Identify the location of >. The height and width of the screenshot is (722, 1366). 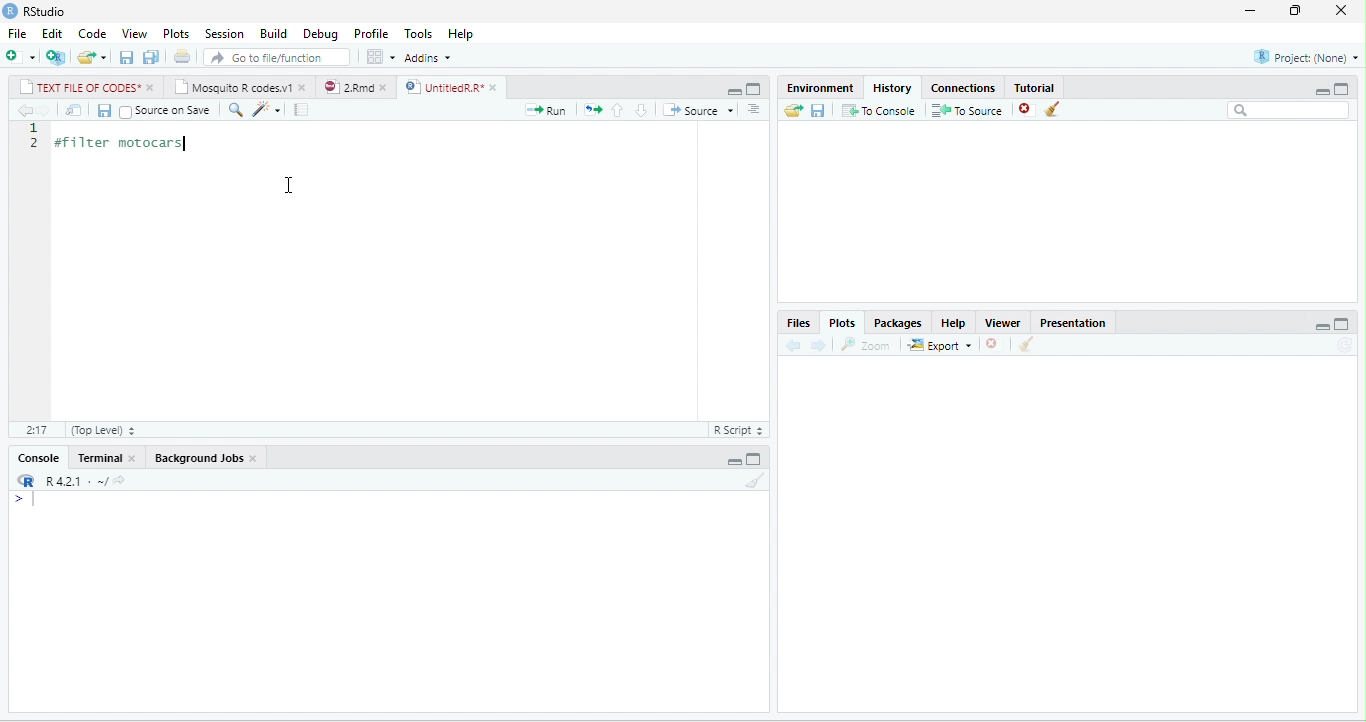
(30, 499).